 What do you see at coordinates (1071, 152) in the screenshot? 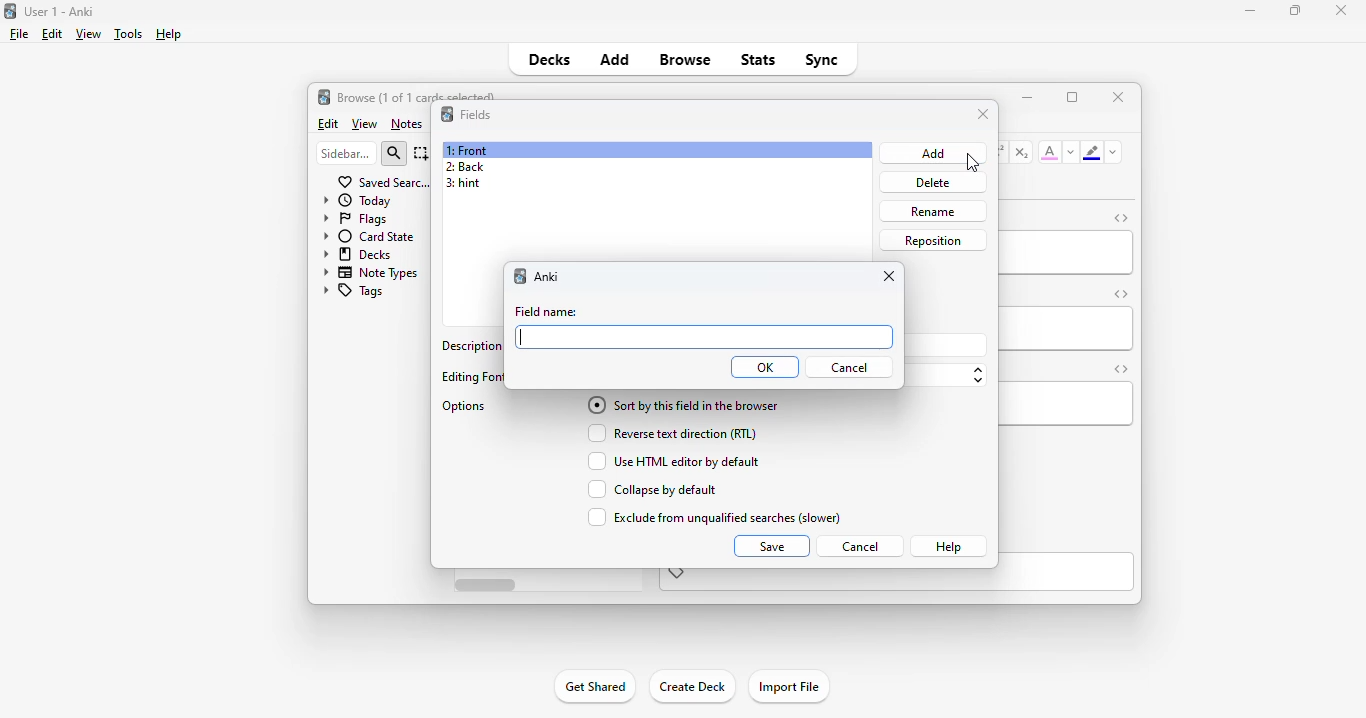
I see `change color` at bounding box center [1071, 152].